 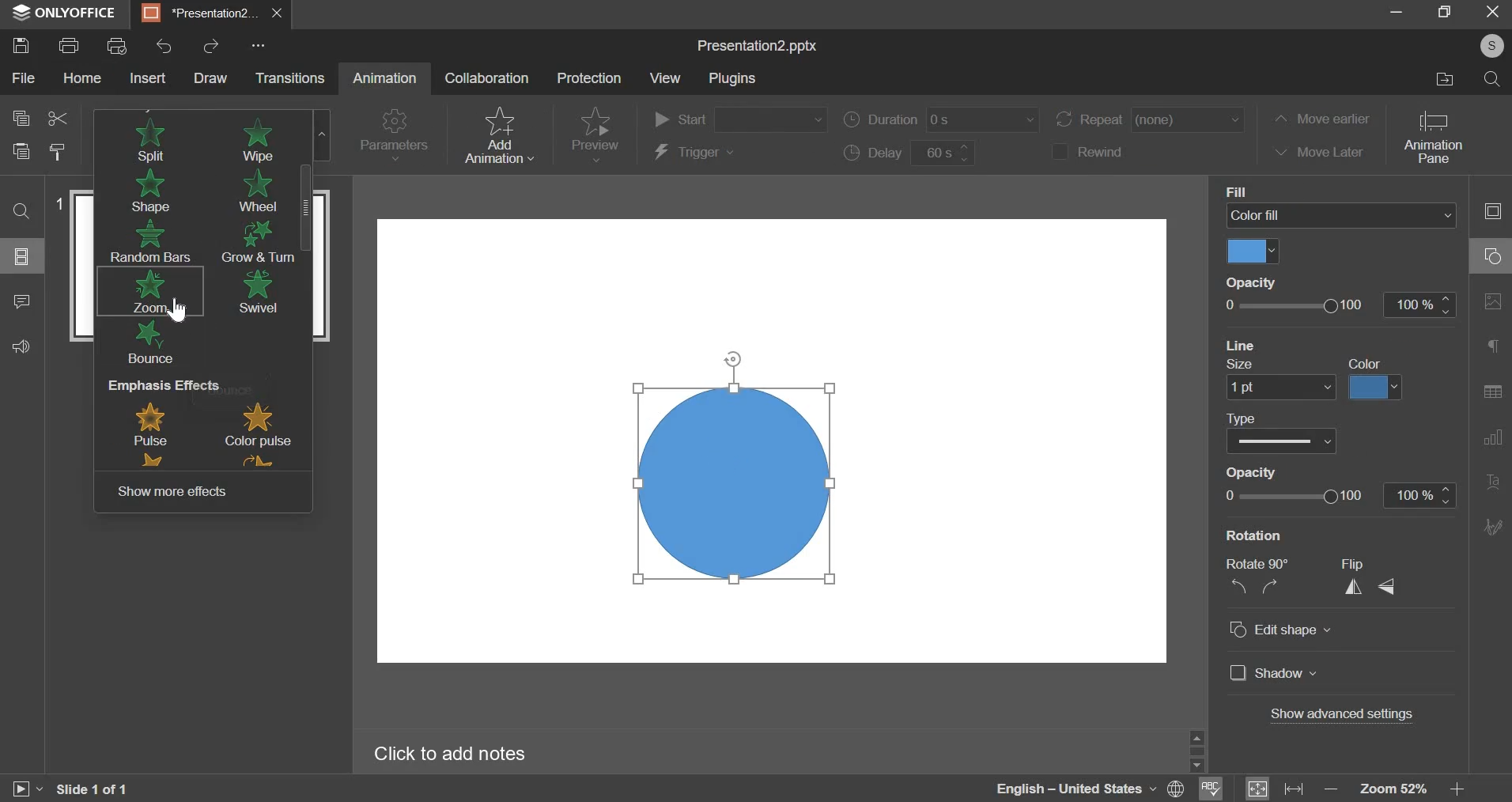 What do you see at coordinates (1342, 714) in the screenshot?
I see `advanced settings` at bounding box center [1342, 714].